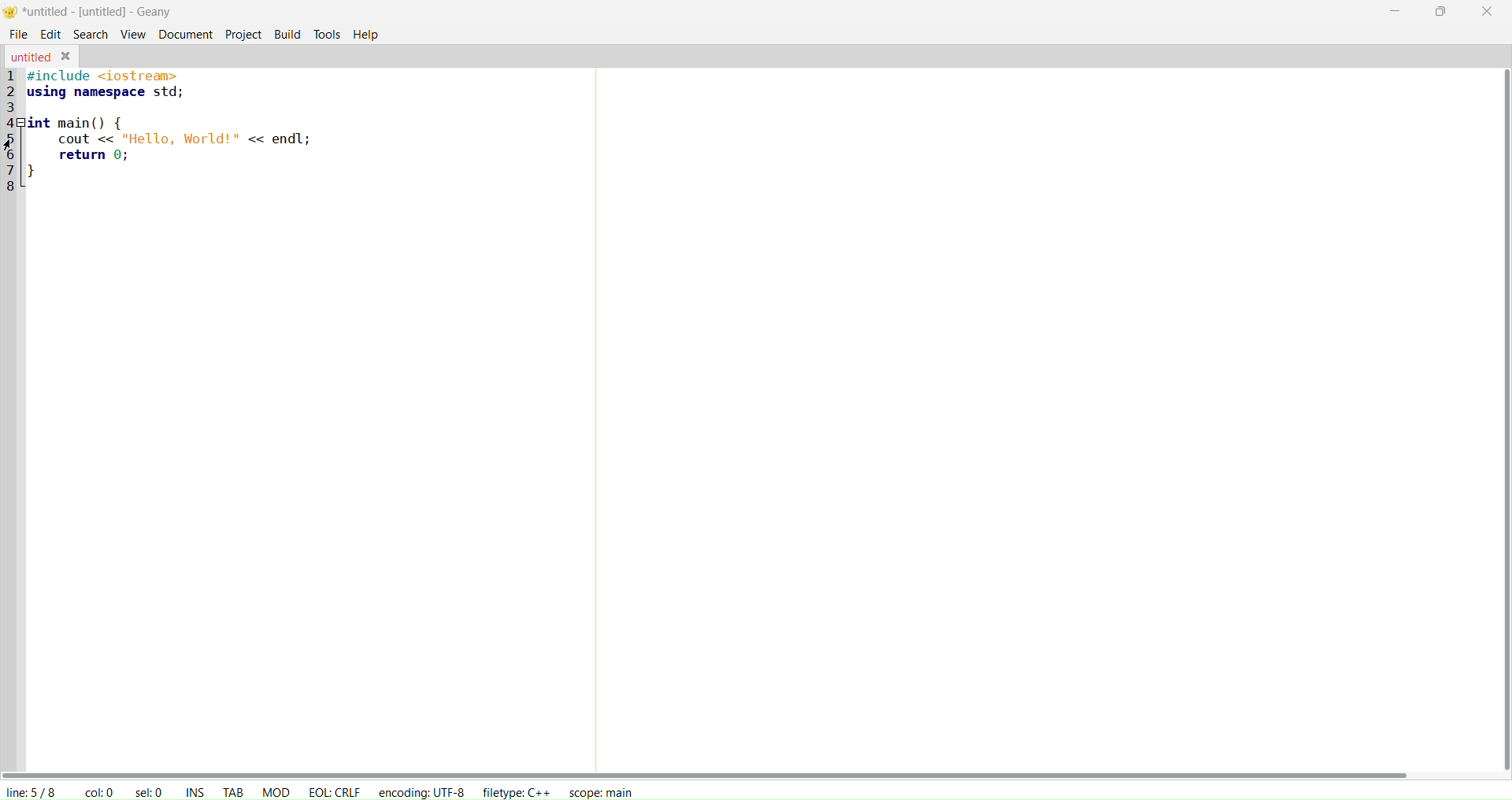 This screenshot has height=800, width=1512. Describe the element at coordinates (187, 33) in the screenshot. I see `document` at that location.